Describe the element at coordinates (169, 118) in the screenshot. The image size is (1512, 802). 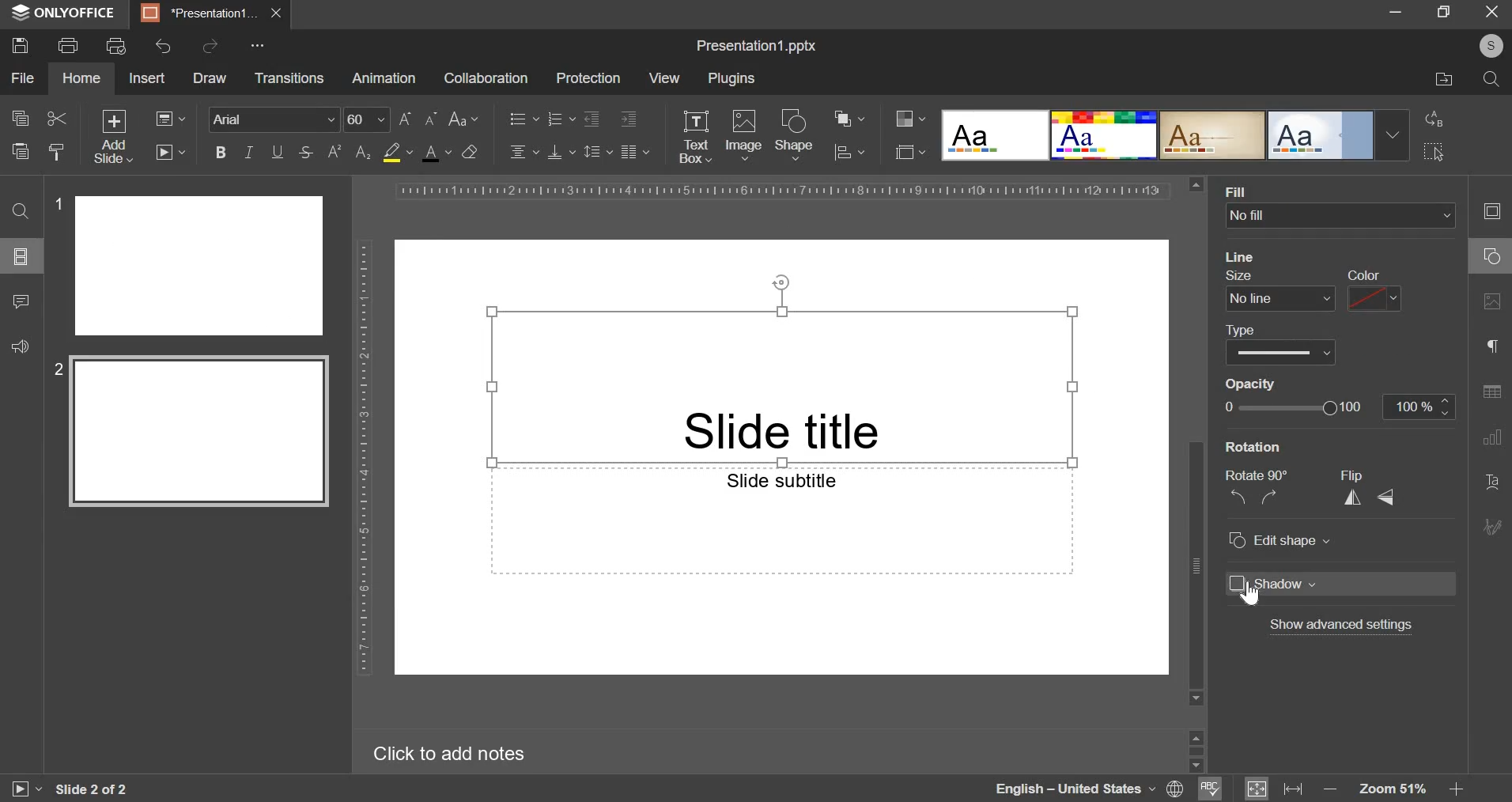
I see `change layout` at that location.